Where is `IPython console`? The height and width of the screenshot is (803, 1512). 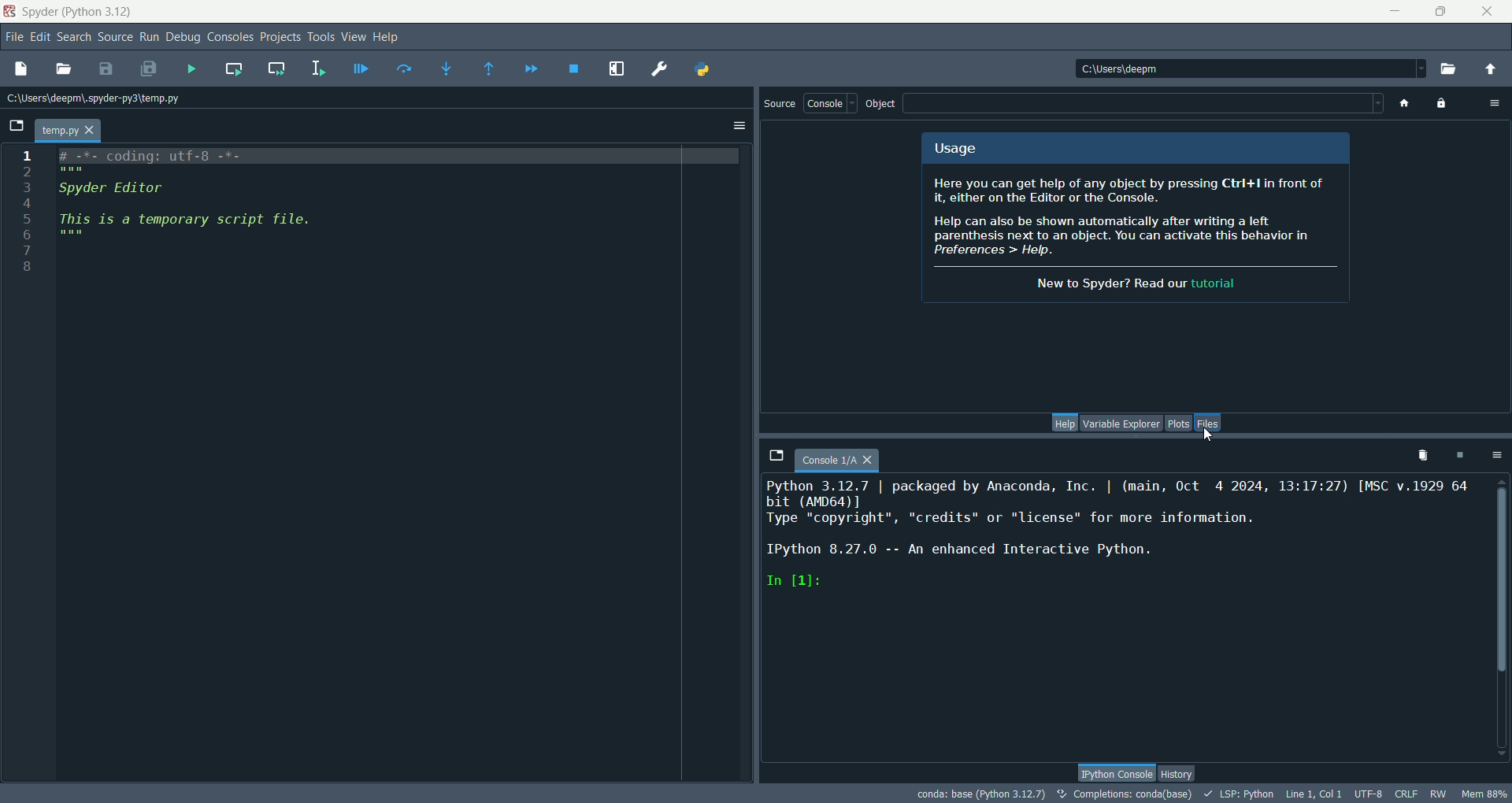
IPython console is located at coordinates (1114, 771).